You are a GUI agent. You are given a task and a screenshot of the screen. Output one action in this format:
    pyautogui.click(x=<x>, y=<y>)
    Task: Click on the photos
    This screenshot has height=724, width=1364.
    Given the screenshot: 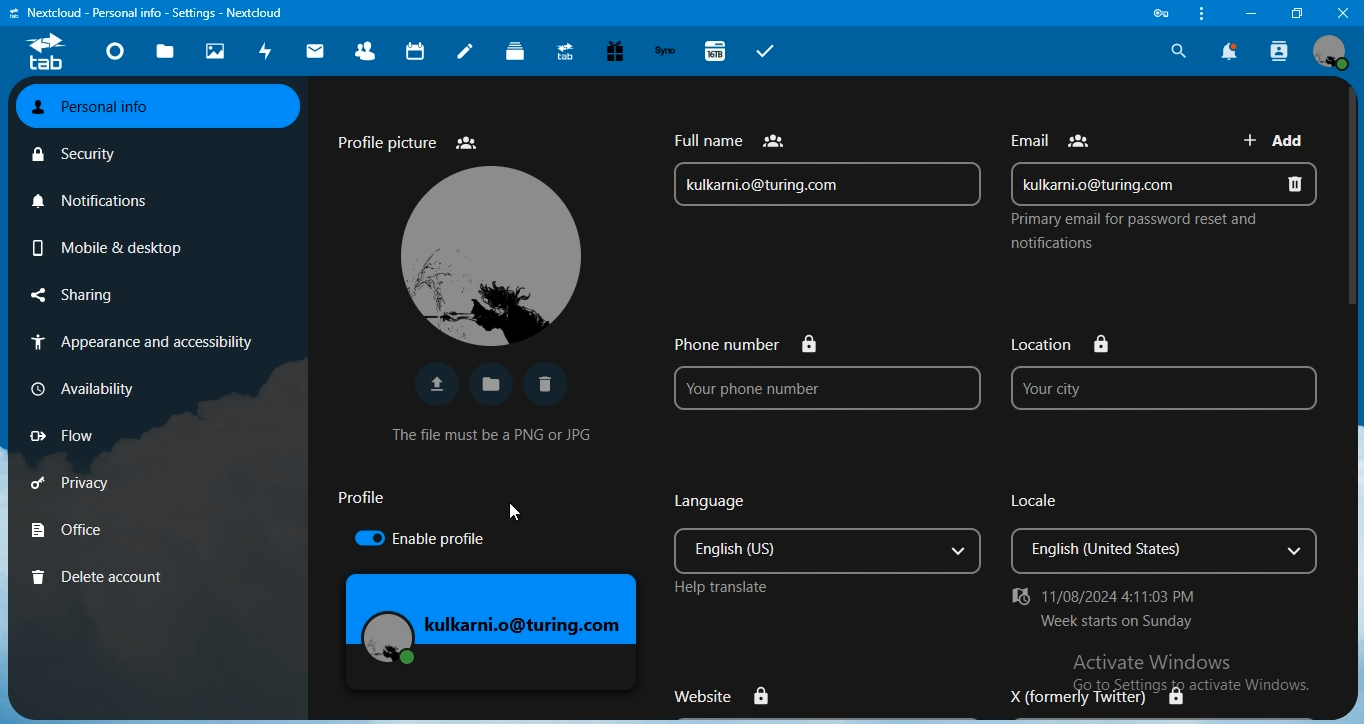 What is the action you would take?
    pyautogui.click(x=217, y=52)
    